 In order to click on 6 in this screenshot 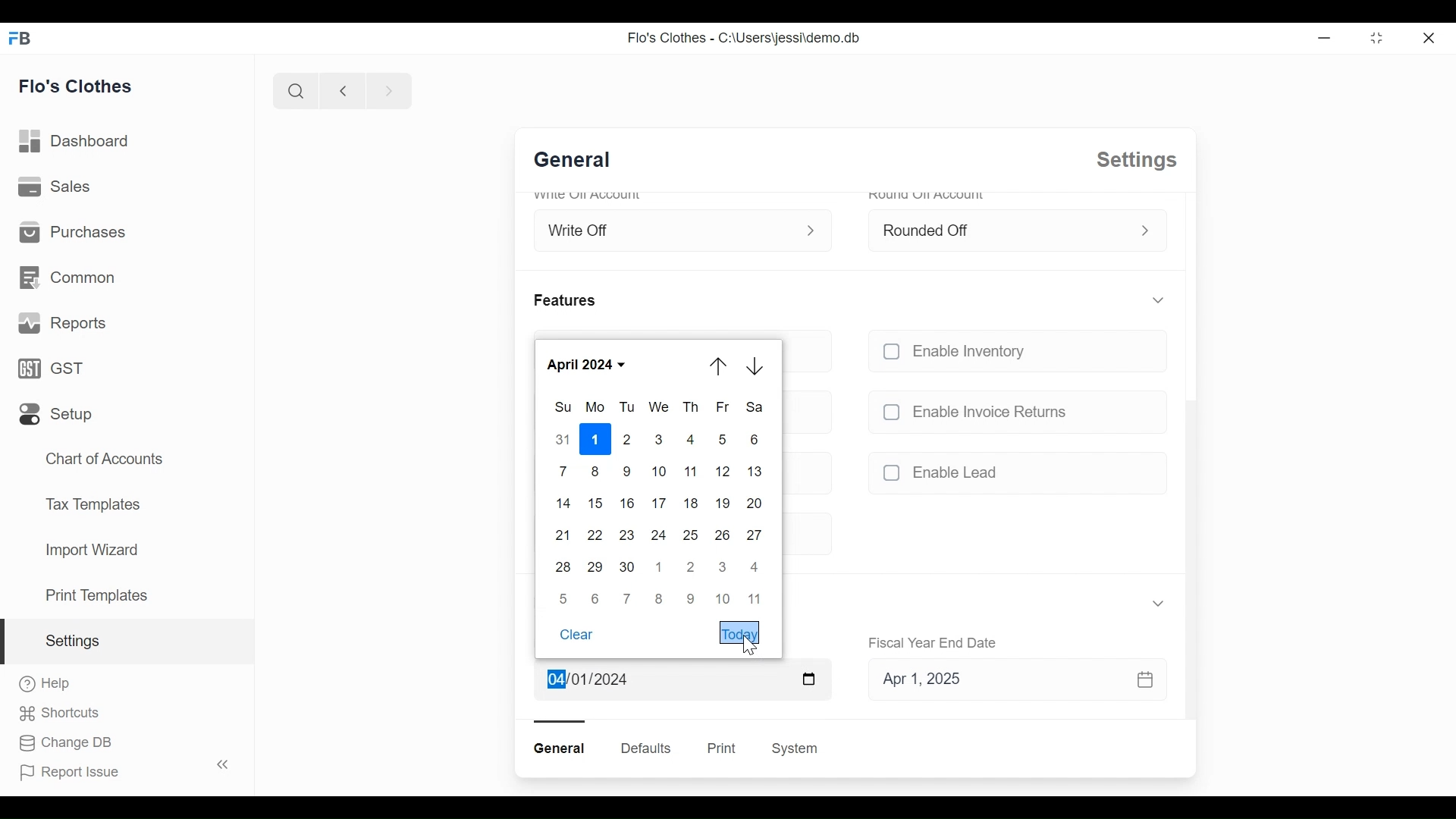, I will do `click(596, 600)`.